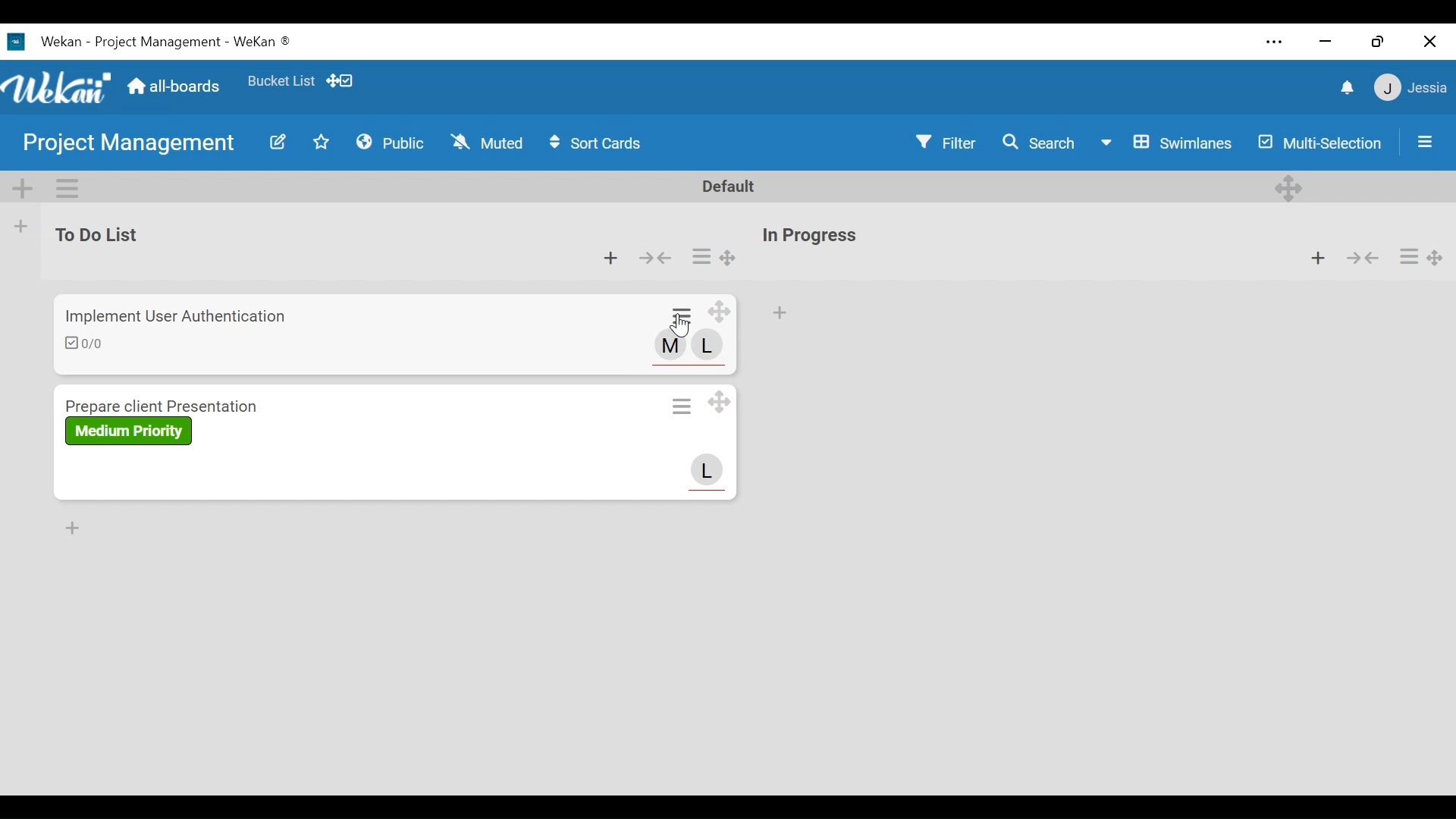 Image resolution: width=1456 pixels, height=819 pixels. Describe the element at coordinates (684, 314) in the screenshot. I see `Card actions` at that location.